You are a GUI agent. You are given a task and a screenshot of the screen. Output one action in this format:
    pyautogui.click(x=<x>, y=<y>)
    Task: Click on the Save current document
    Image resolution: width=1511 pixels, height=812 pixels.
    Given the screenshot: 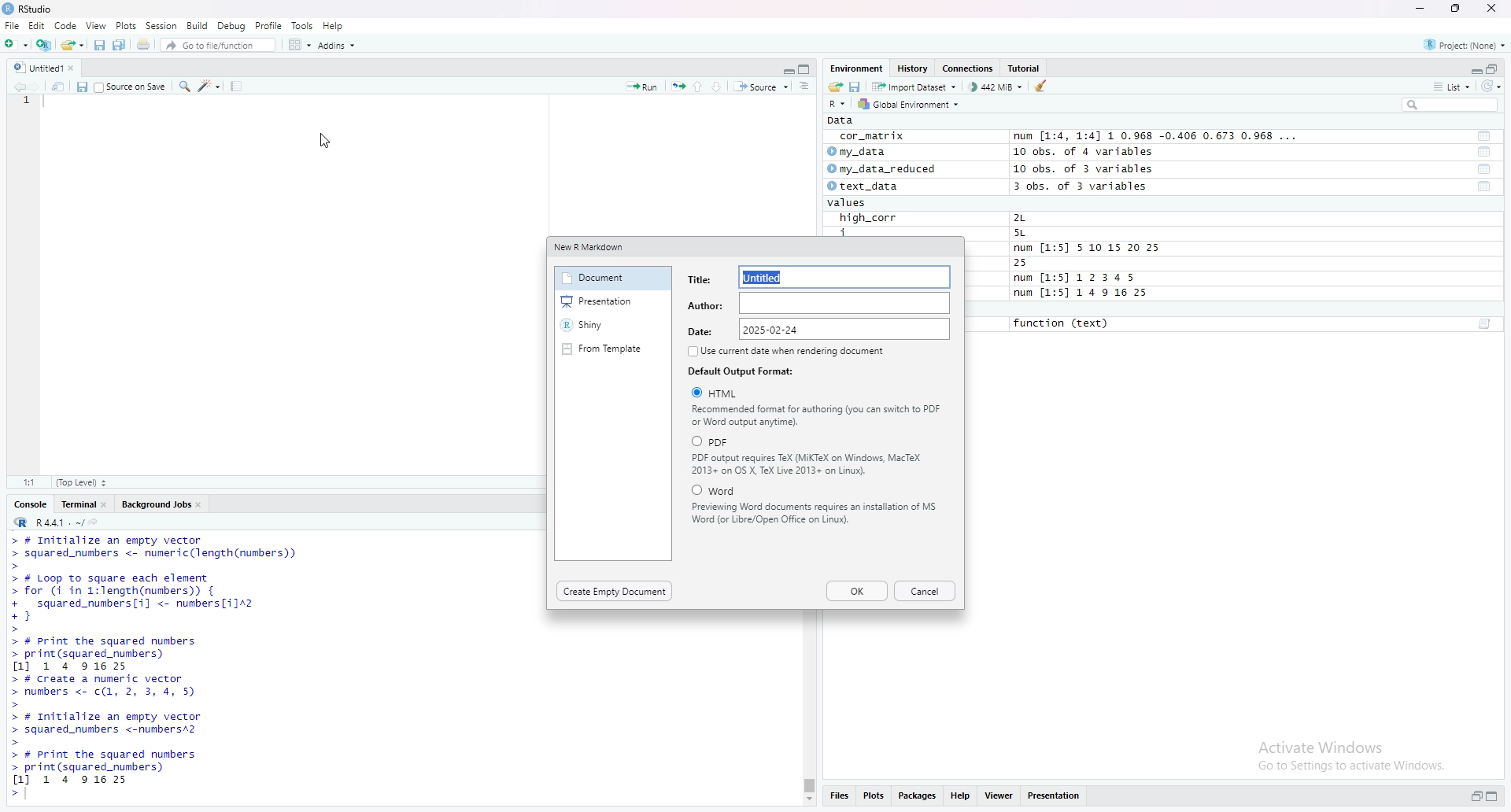 What is the action you would take?
    pyautogui.click(x=99, y=45)
    